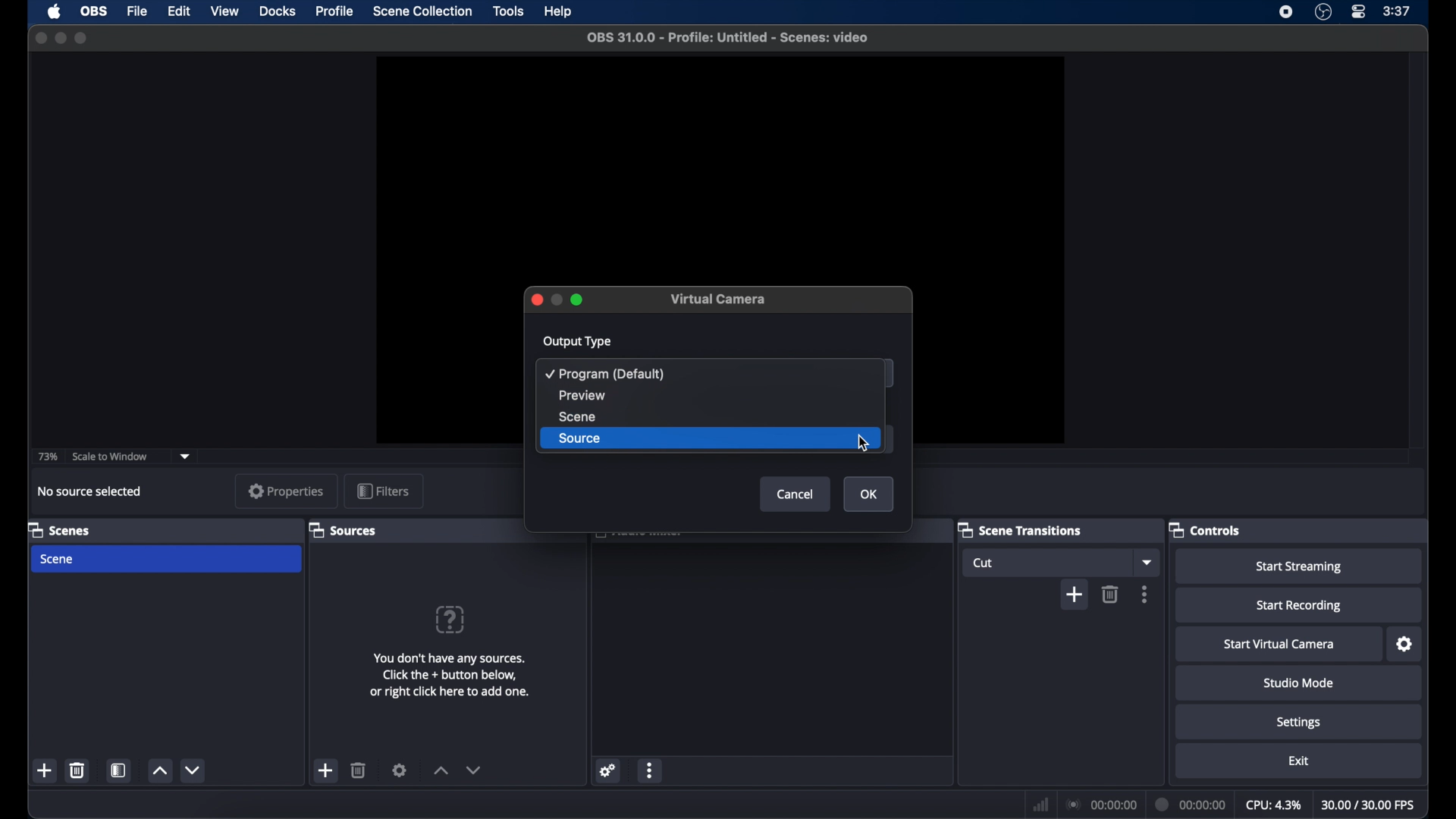  I want to click on increment, so click(440, 770).